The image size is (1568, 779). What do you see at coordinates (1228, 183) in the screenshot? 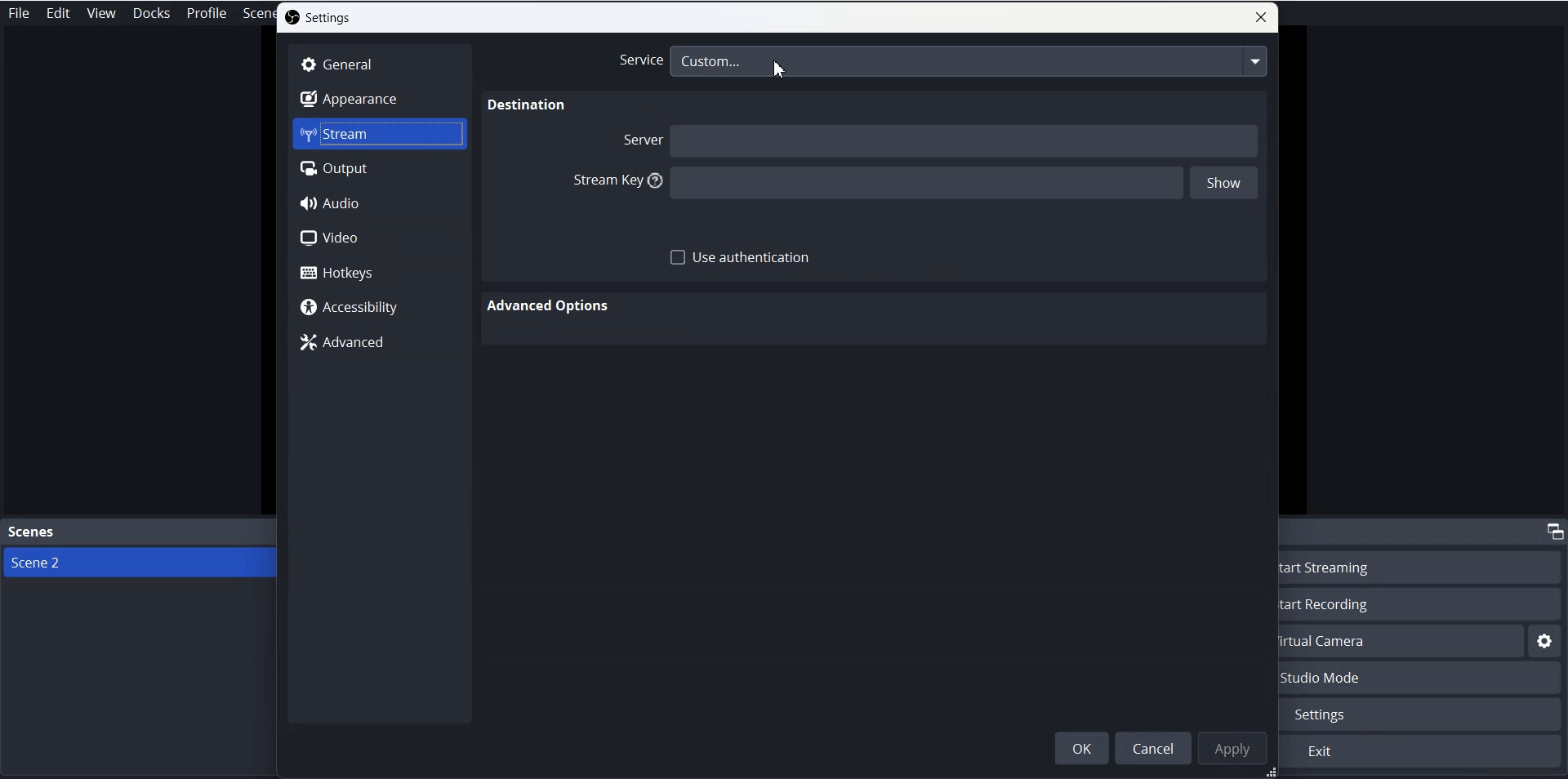
I see `Show` at bounding box center [1228, 183].